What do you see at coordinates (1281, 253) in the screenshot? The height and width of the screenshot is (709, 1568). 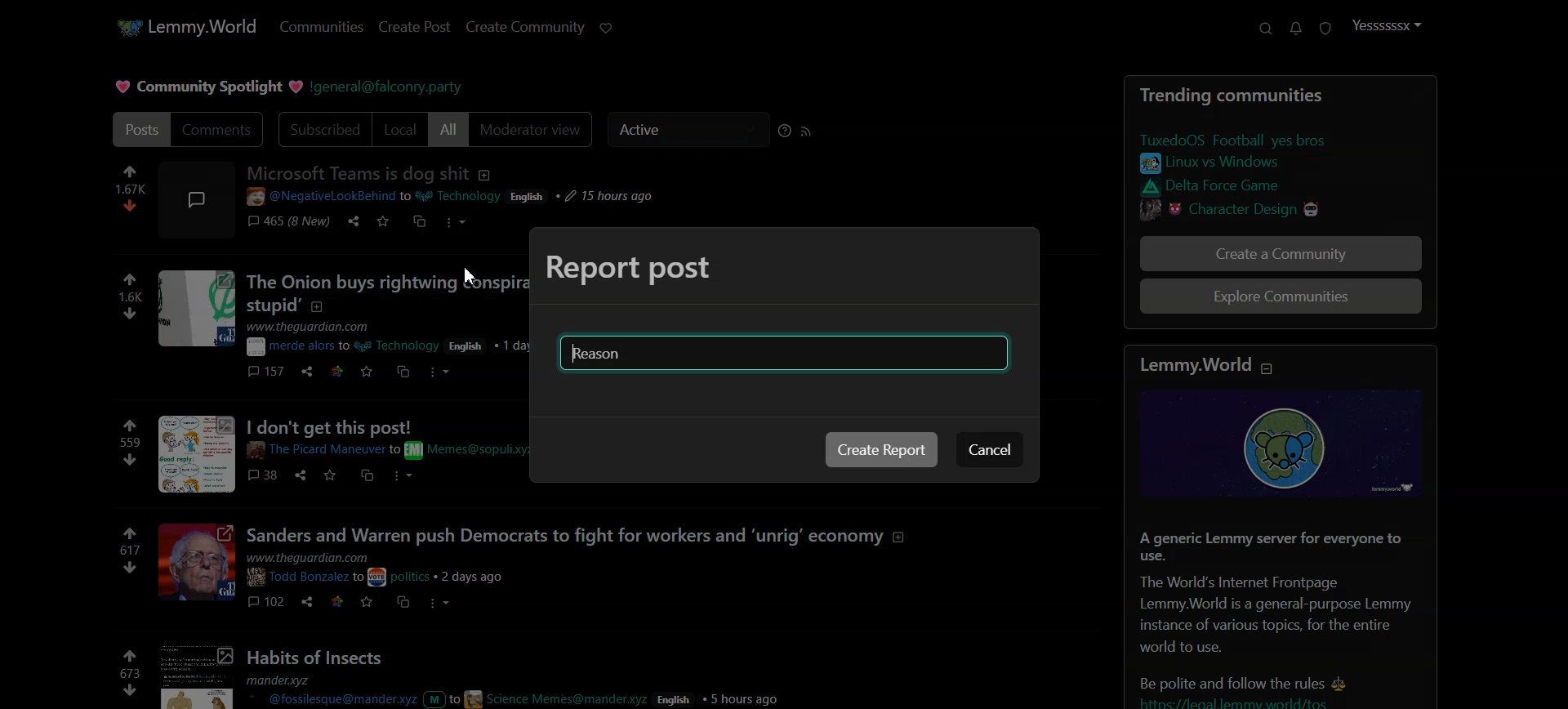 I see `Create a Community` at bounding box center [1281, 253].